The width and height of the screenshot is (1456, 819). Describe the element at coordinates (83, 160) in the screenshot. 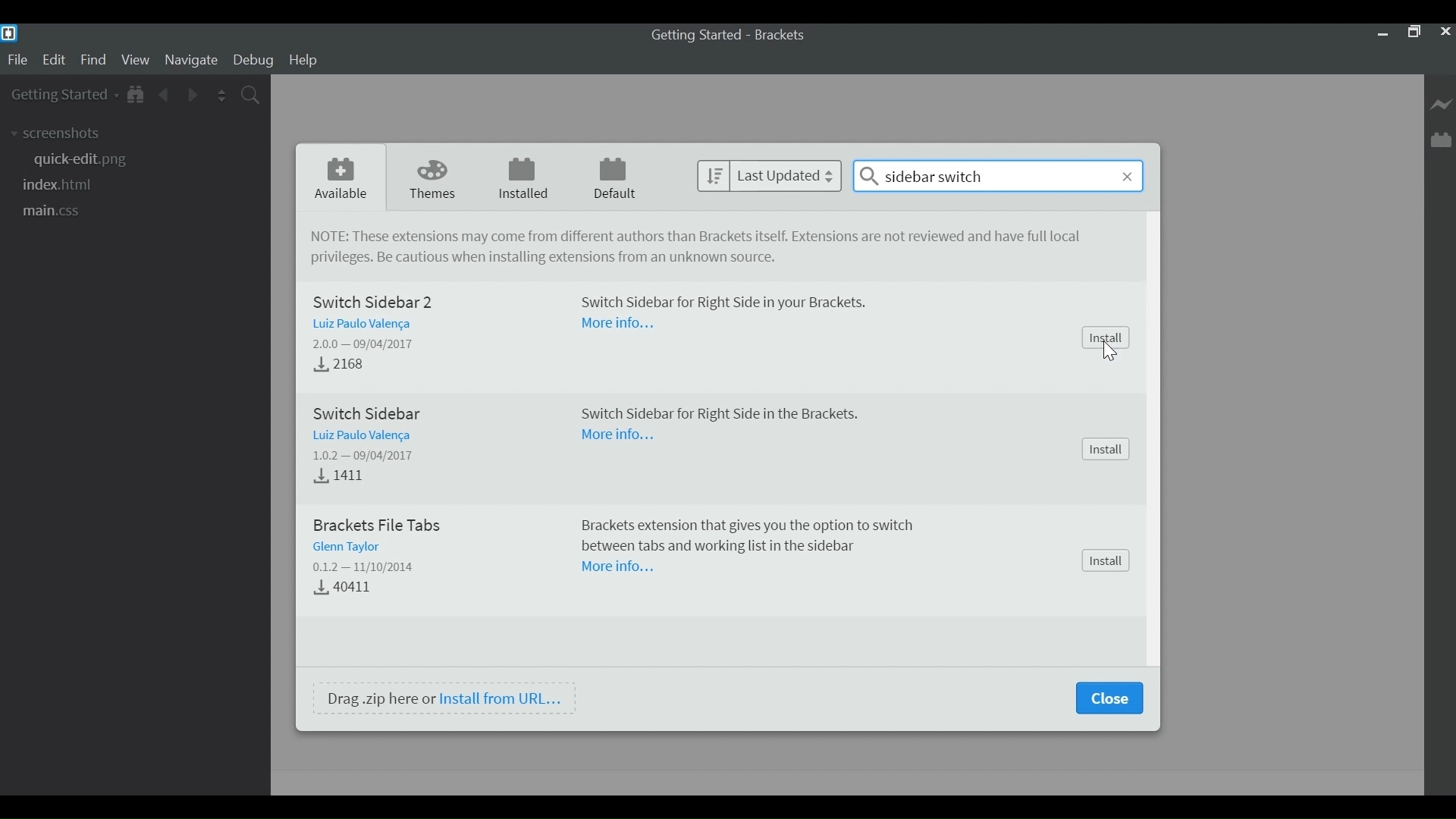

I see `png file` at that location.